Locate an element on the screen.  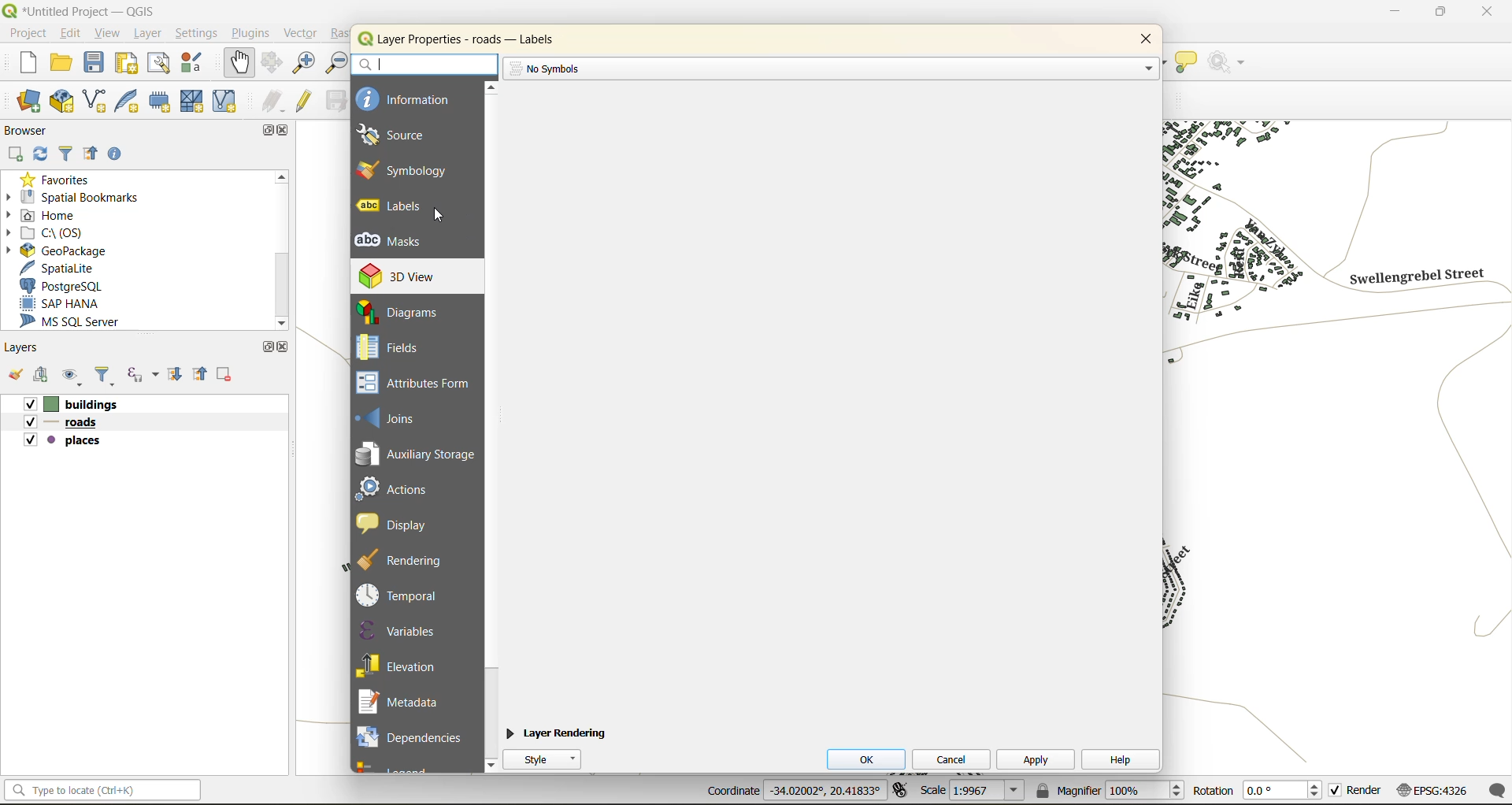
metadata is located at coordinates (405, 703).